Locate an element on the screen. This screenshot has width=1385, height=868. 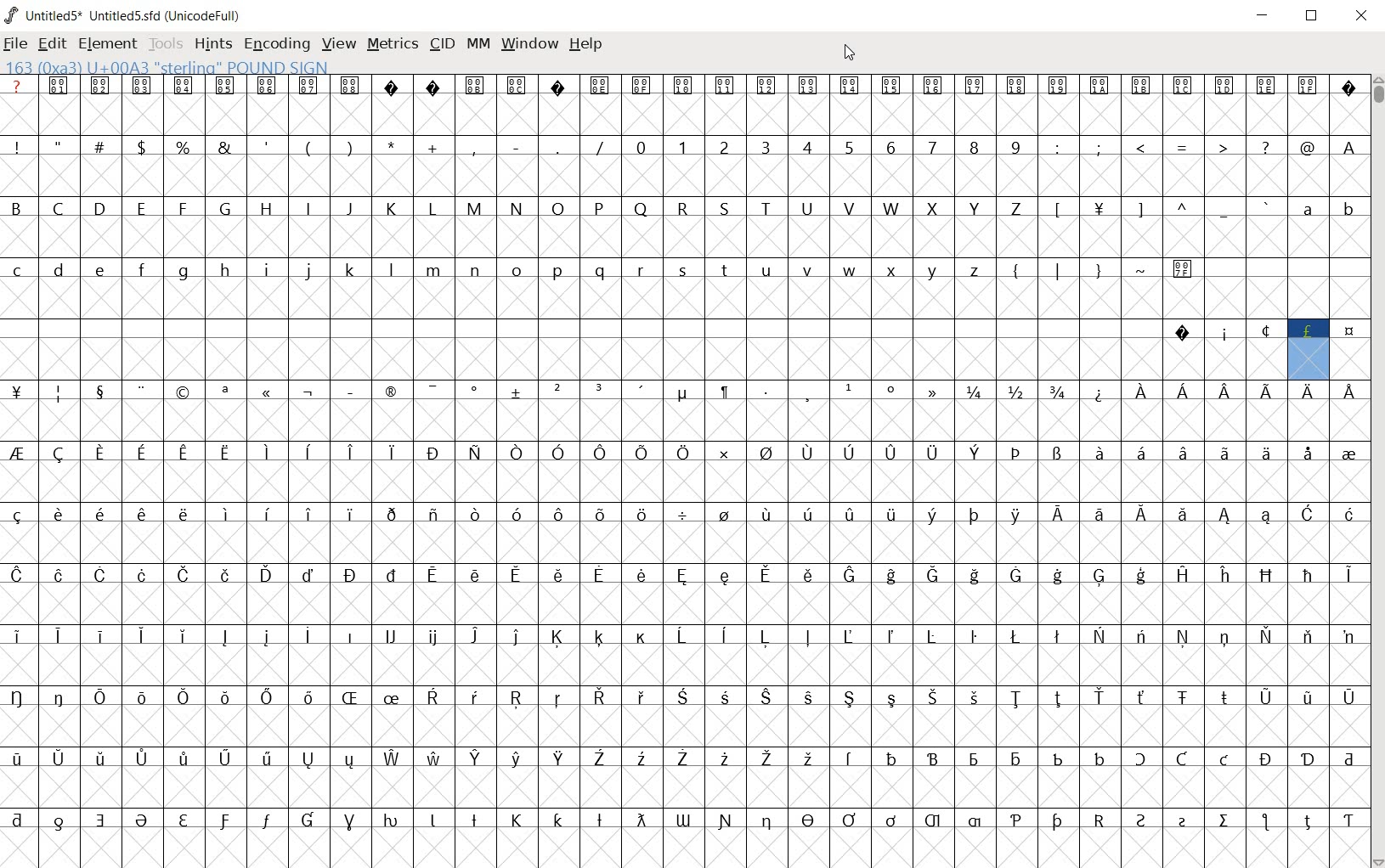
ENCODING is located at coordinates (275, 43).